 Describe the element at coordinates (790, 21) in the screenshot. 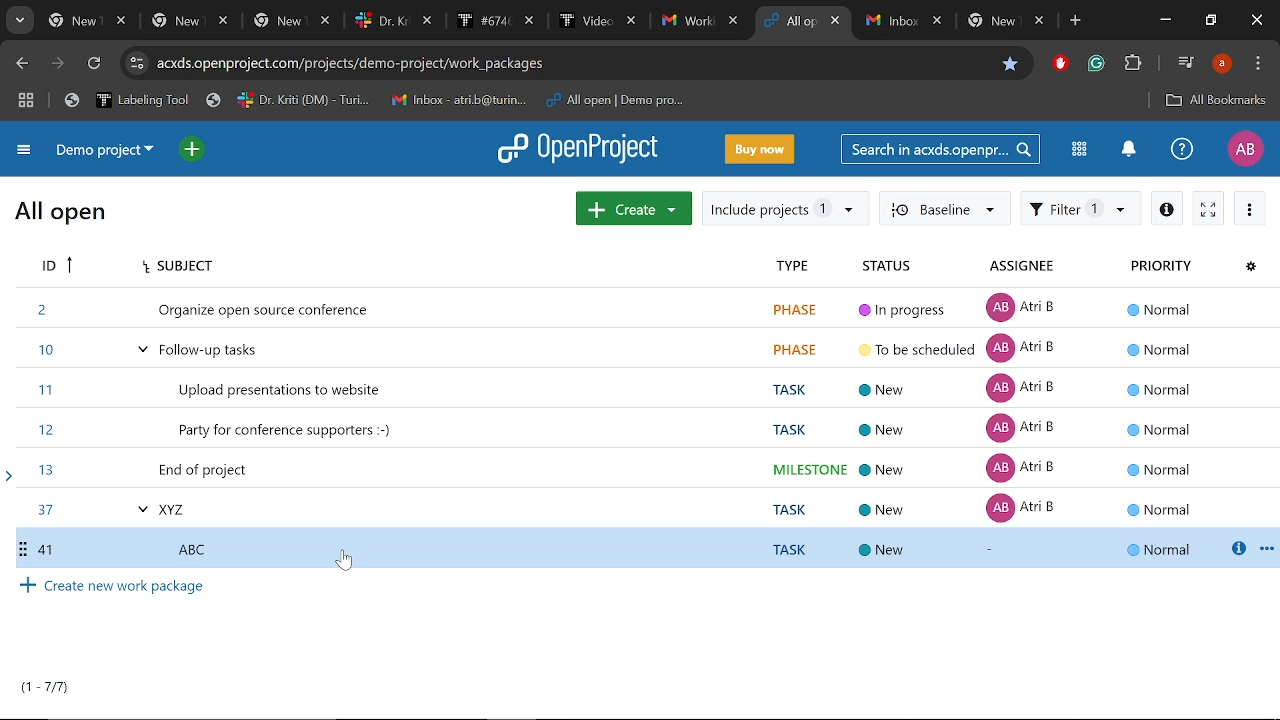

I see `Current tab` at that location.